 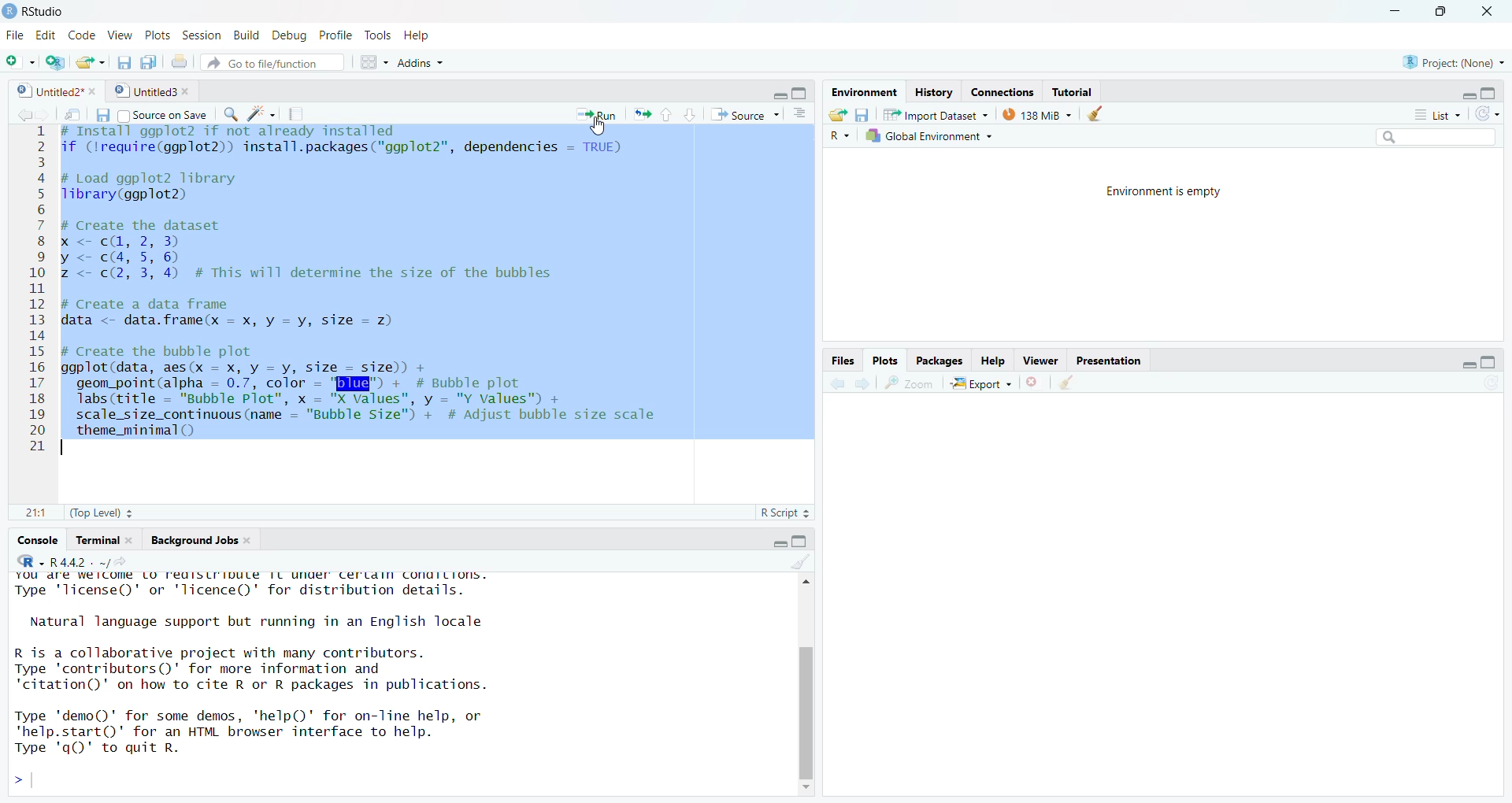 What do you see at coordinates (842, 359) in the screenshot?
I see `Files` at bounding box center [842, 359].